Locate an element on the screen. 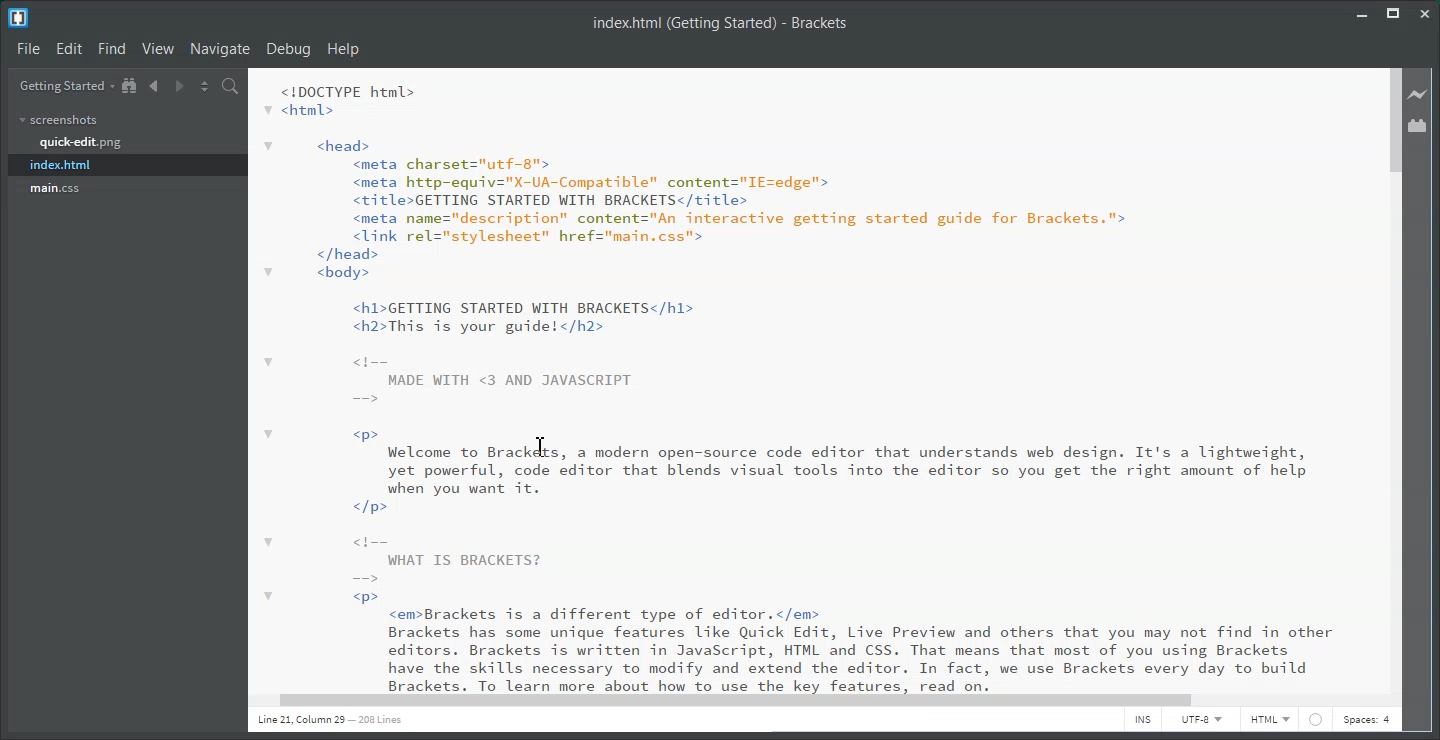 The image size is (1440, 740). Navigate Forwards is located at coordinates (180, 86).